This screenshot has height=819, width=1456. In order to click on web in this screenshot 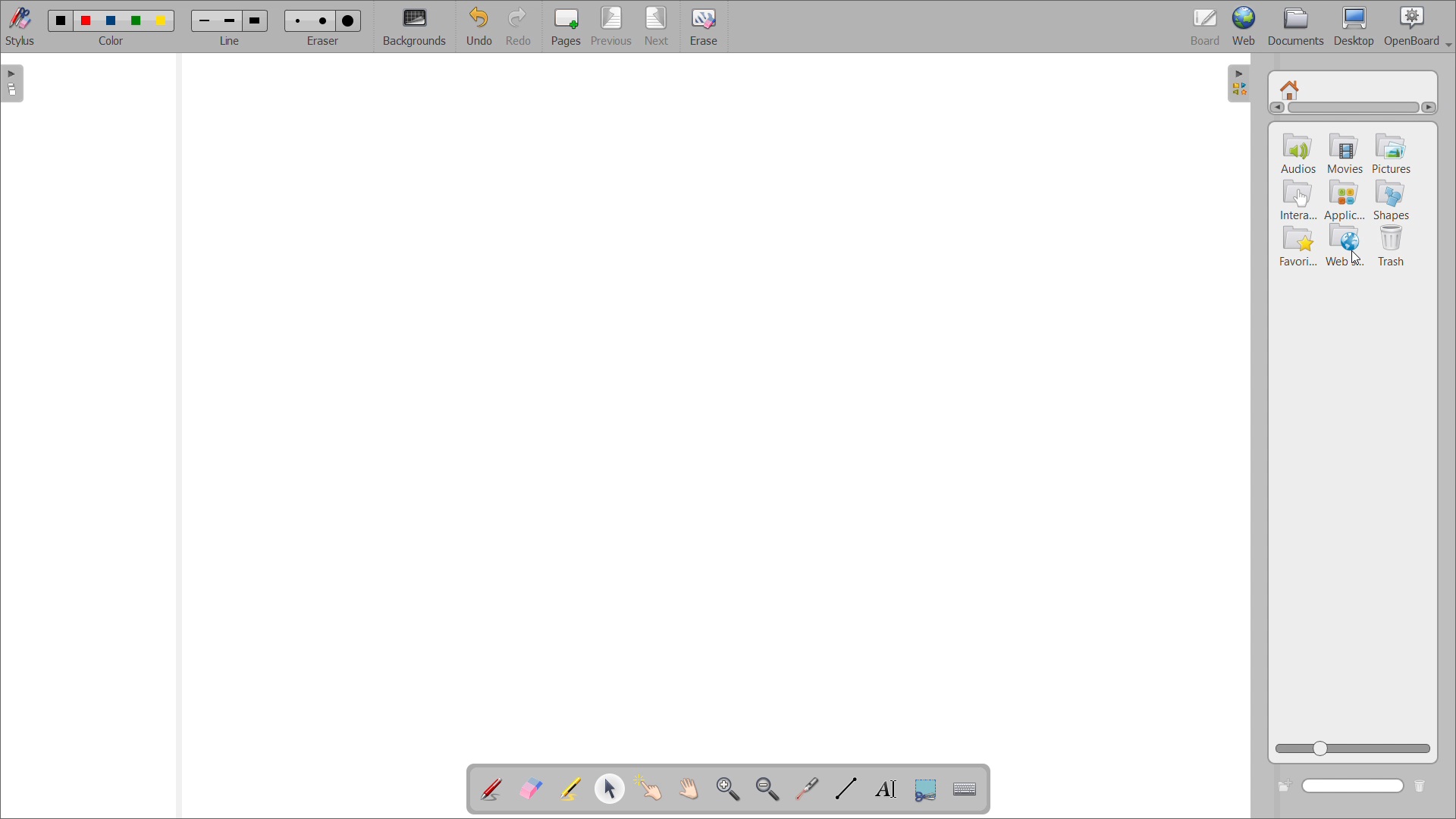, I will do `click(1244, 27)`.